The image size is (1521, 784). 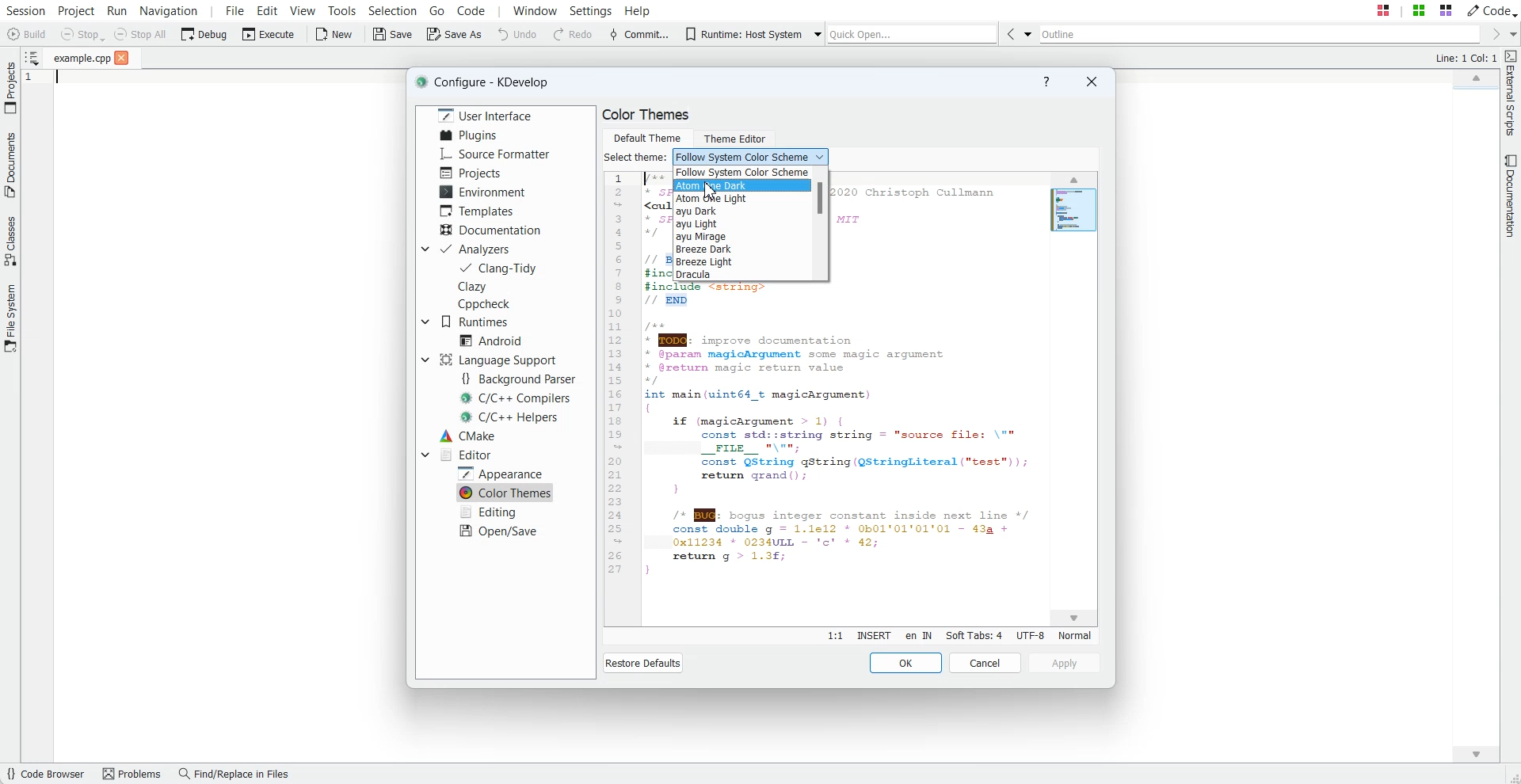 What do you see at coordinates (742, 224) in the screenshot?
I see `ayu Light` at bounding box center [742, 224].